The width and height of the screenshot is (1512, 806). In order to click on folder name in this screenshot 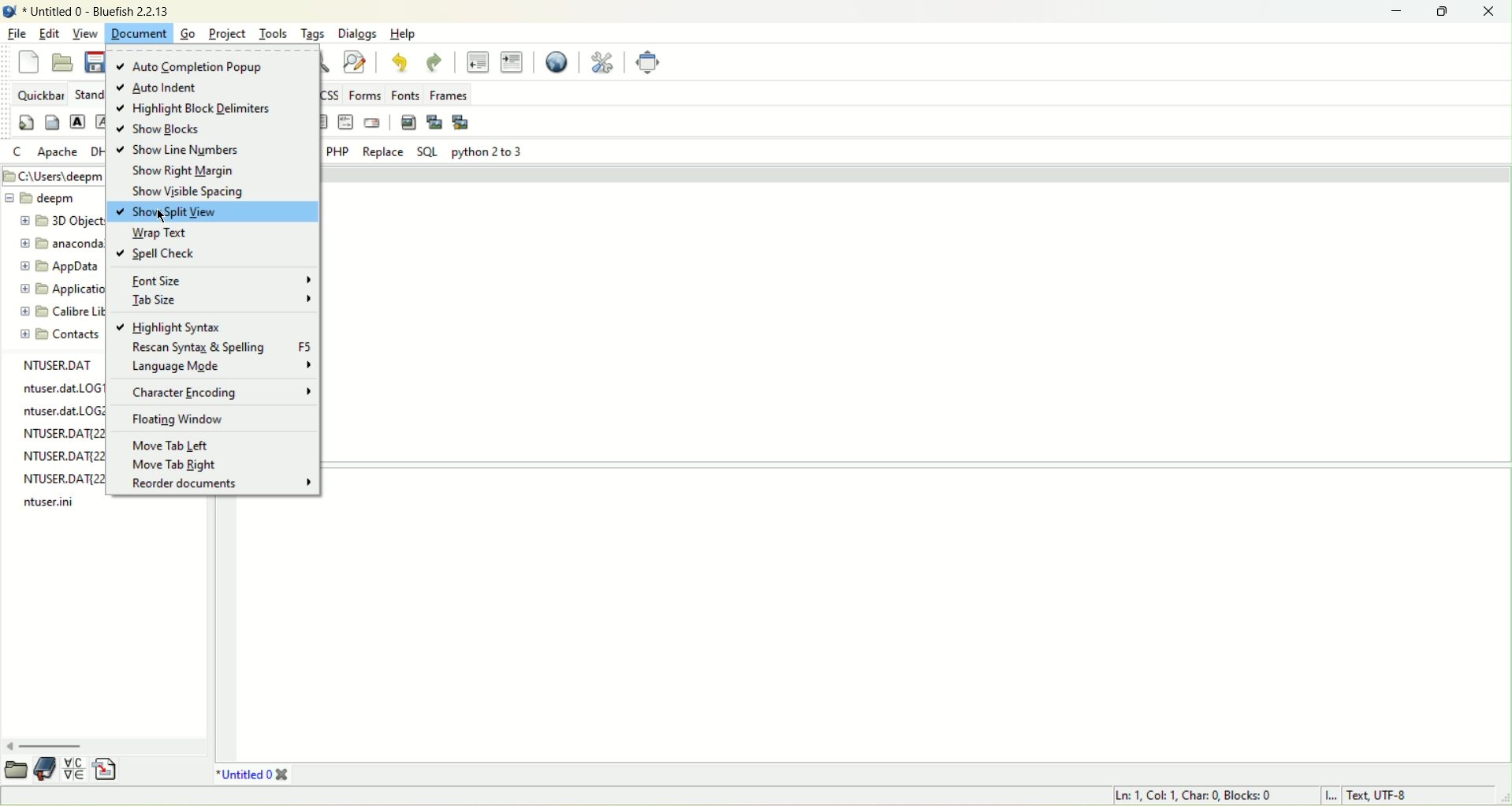, I will do `click(55, 221)`.